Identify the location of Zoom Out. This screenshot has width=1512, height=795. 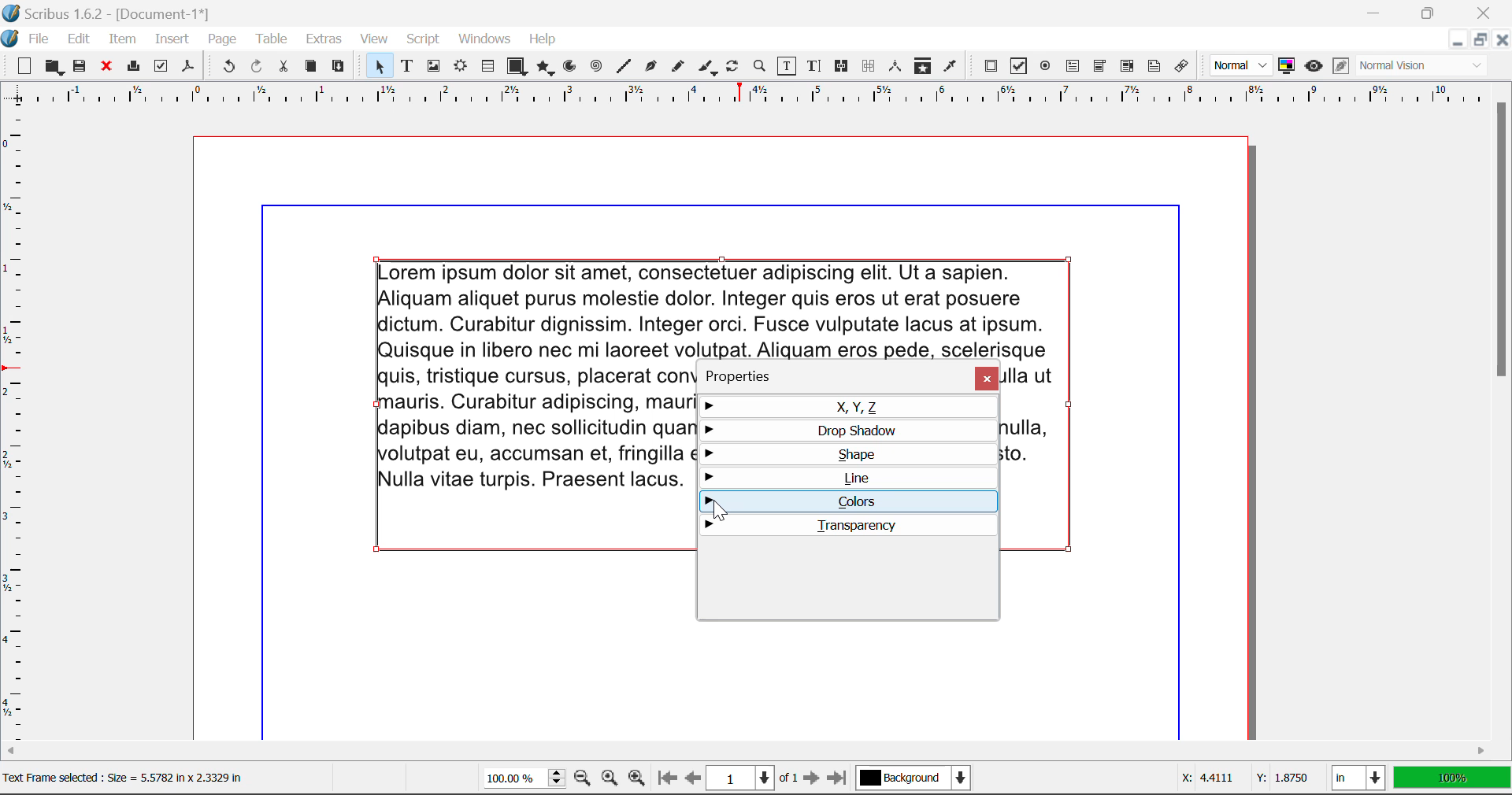
(584, 779).